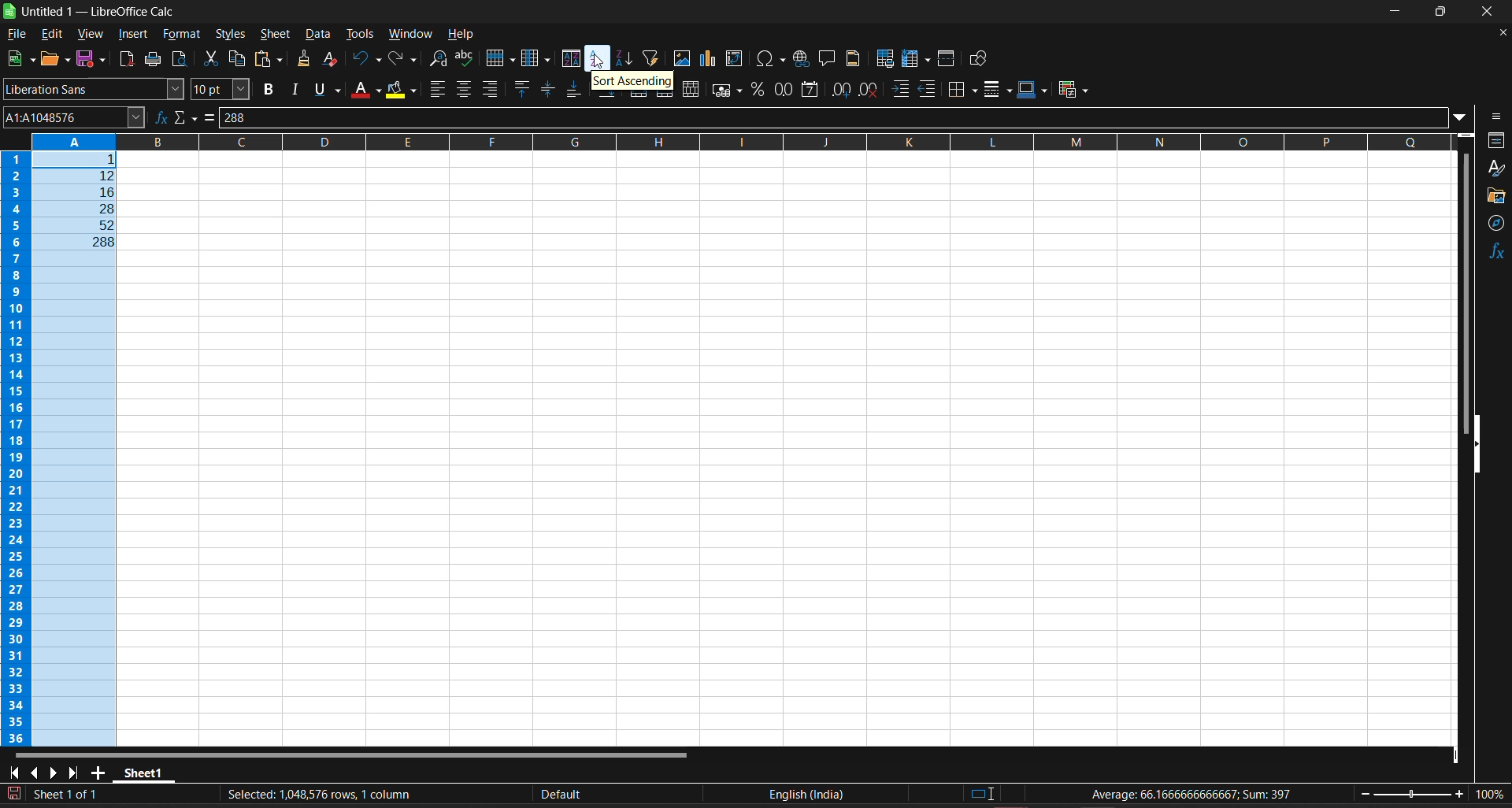  I want to click on maximize, so click(1445, 12).